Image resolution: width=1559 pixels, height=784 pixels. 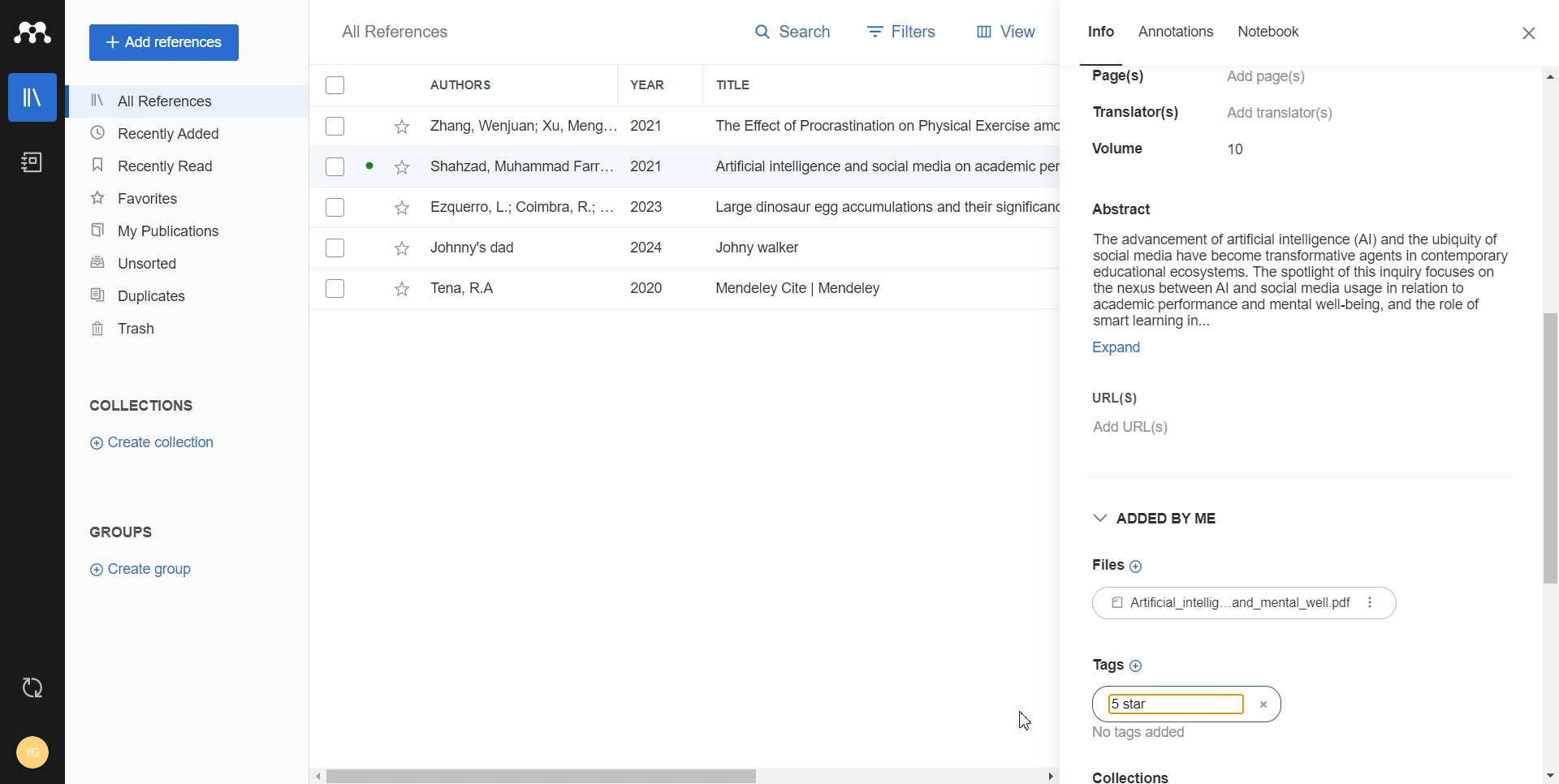 What do you see at coordinates (1368, 603) in the screenshot?
I see `More` at bounding box center [1368, 603].